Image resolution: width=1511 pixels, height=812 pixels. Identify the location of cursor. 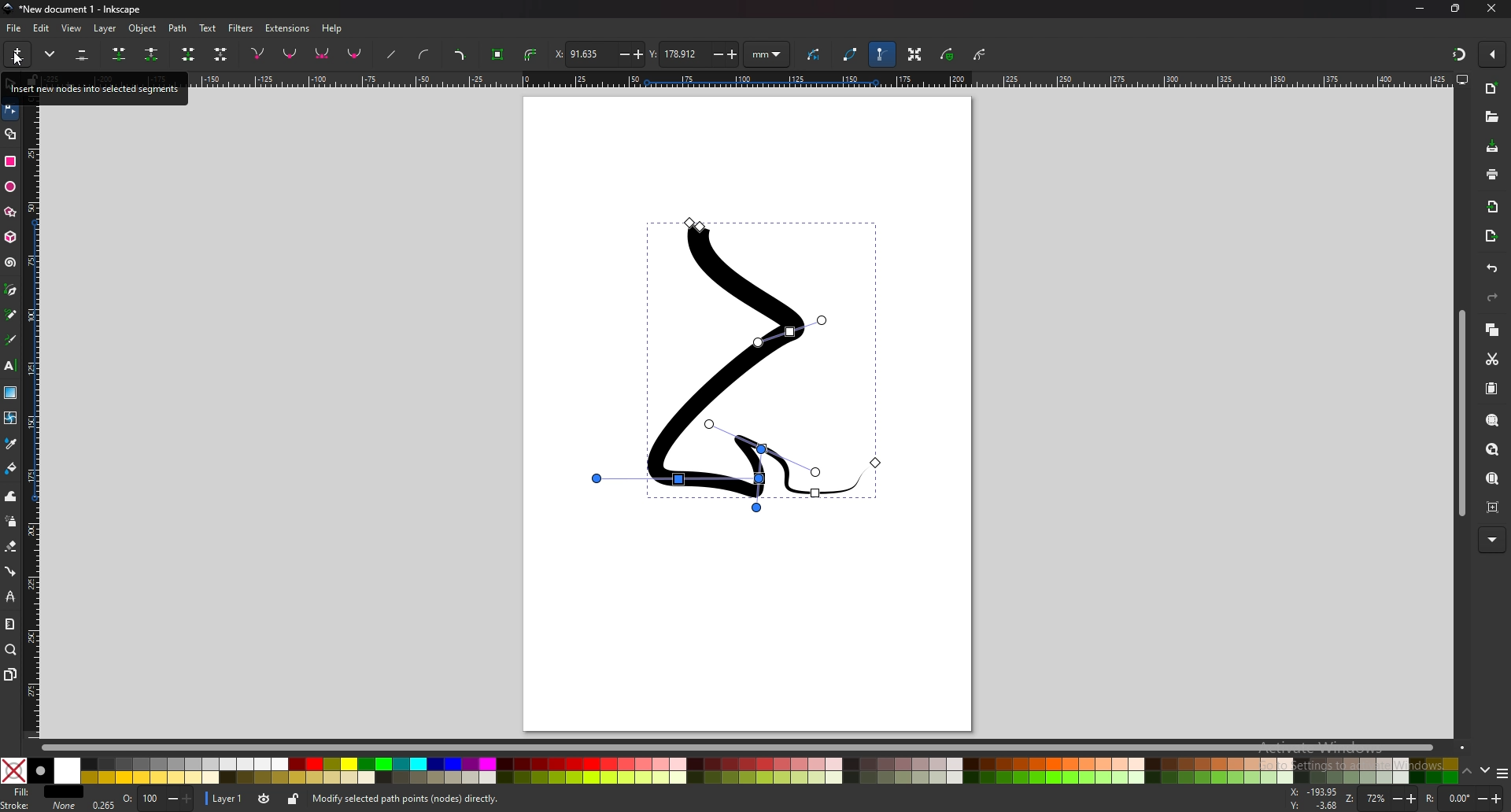
(17, 59).